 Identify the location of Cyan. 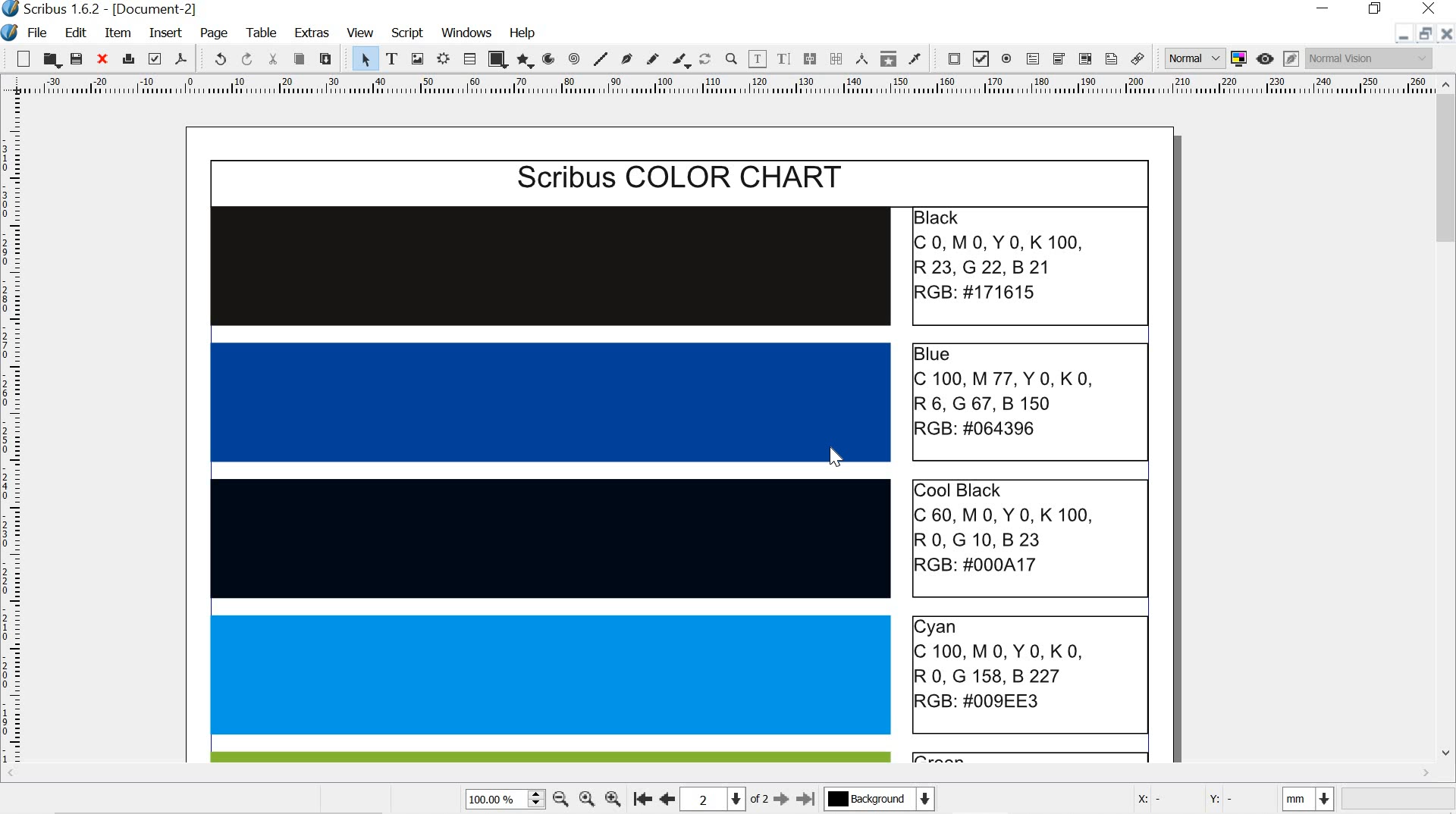
(551, 675).